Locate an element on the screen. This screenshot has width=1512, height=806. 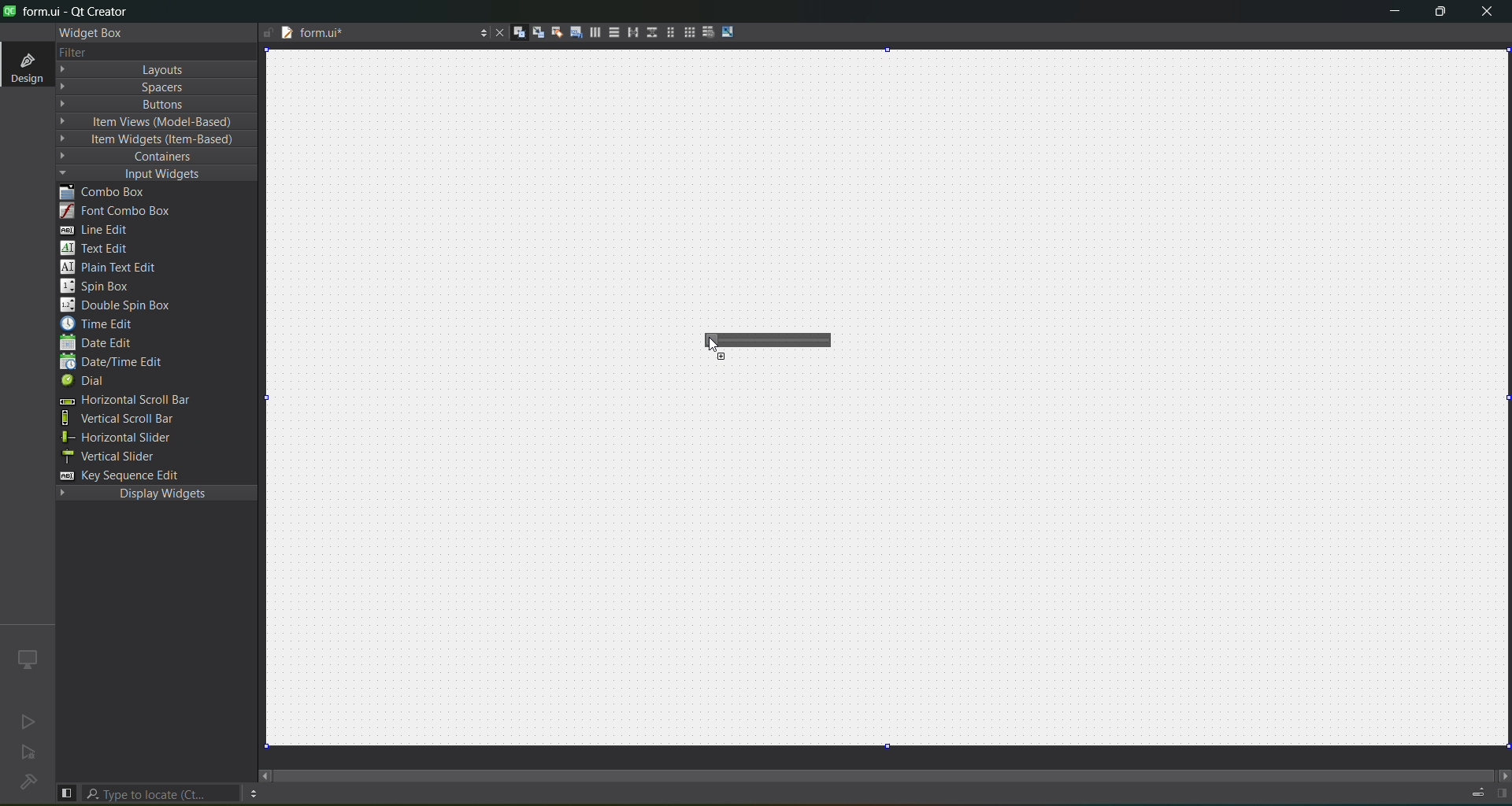
widgets is located at coordinates (512, 33).